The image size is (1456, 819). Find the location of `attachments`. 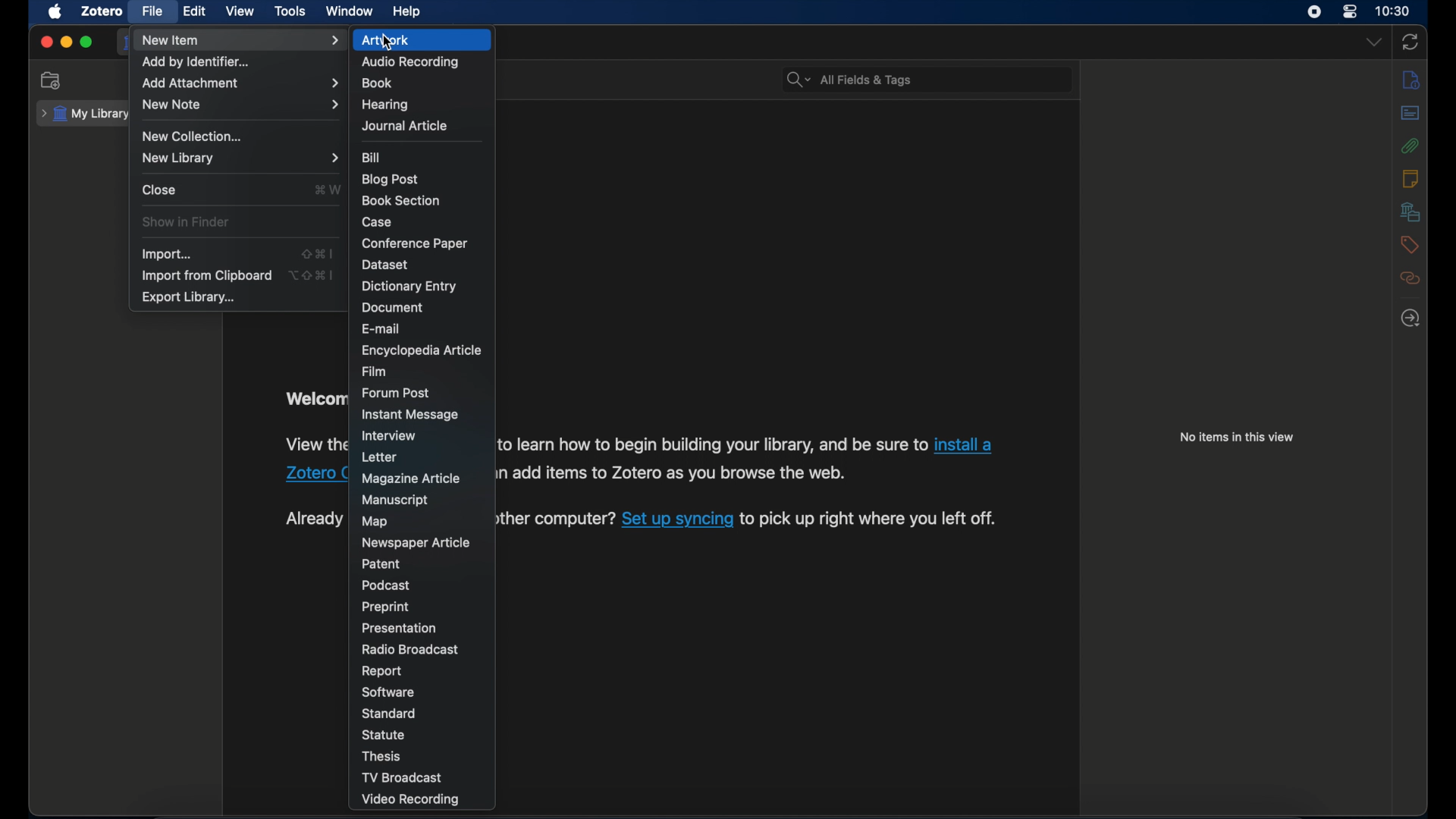

attachments is located at coordinates (1410, 146).